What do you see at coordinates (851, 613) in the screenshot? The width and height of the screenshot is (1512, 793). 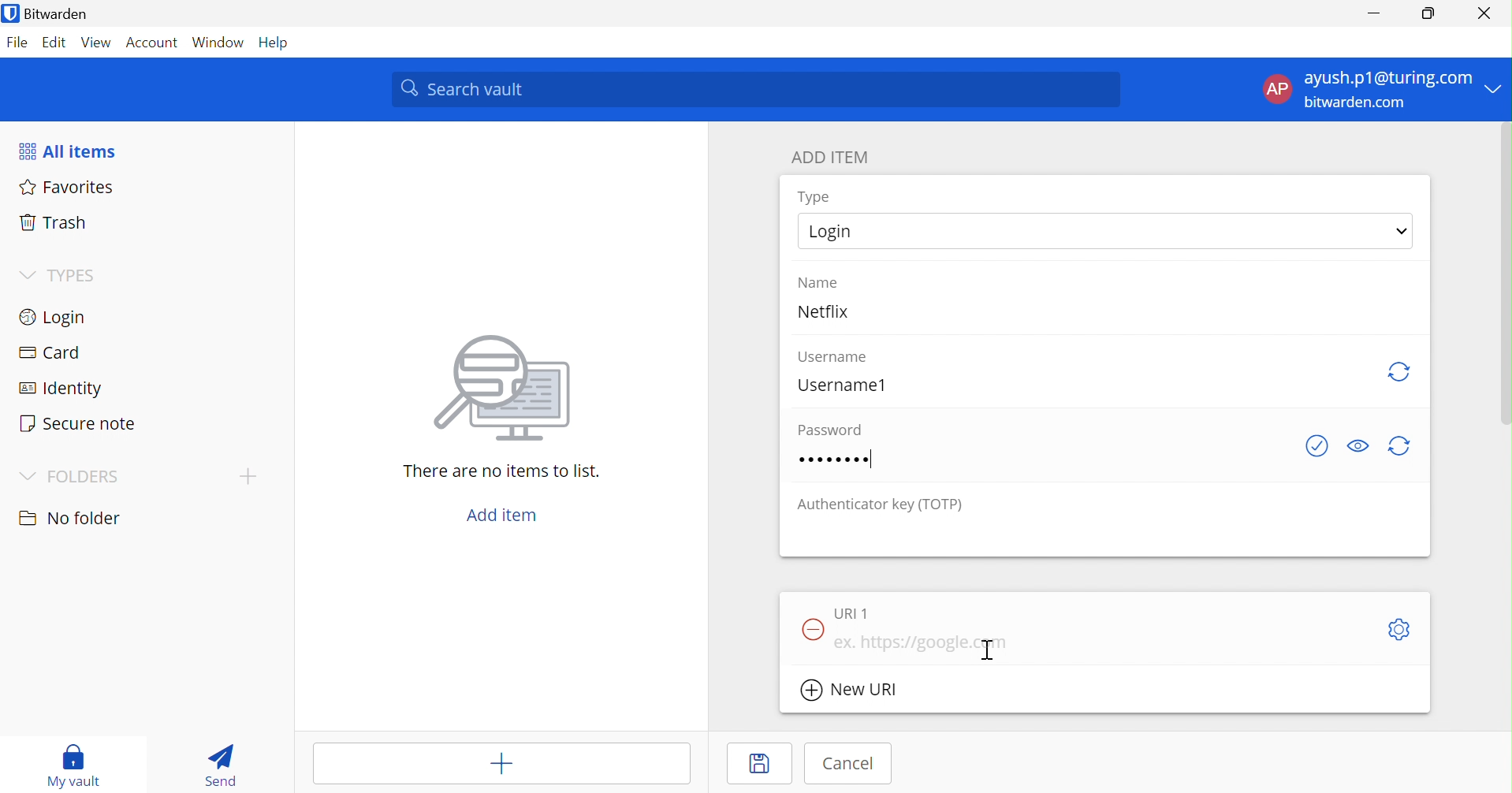 I see `URl 1` at bounding box center [851, 613].